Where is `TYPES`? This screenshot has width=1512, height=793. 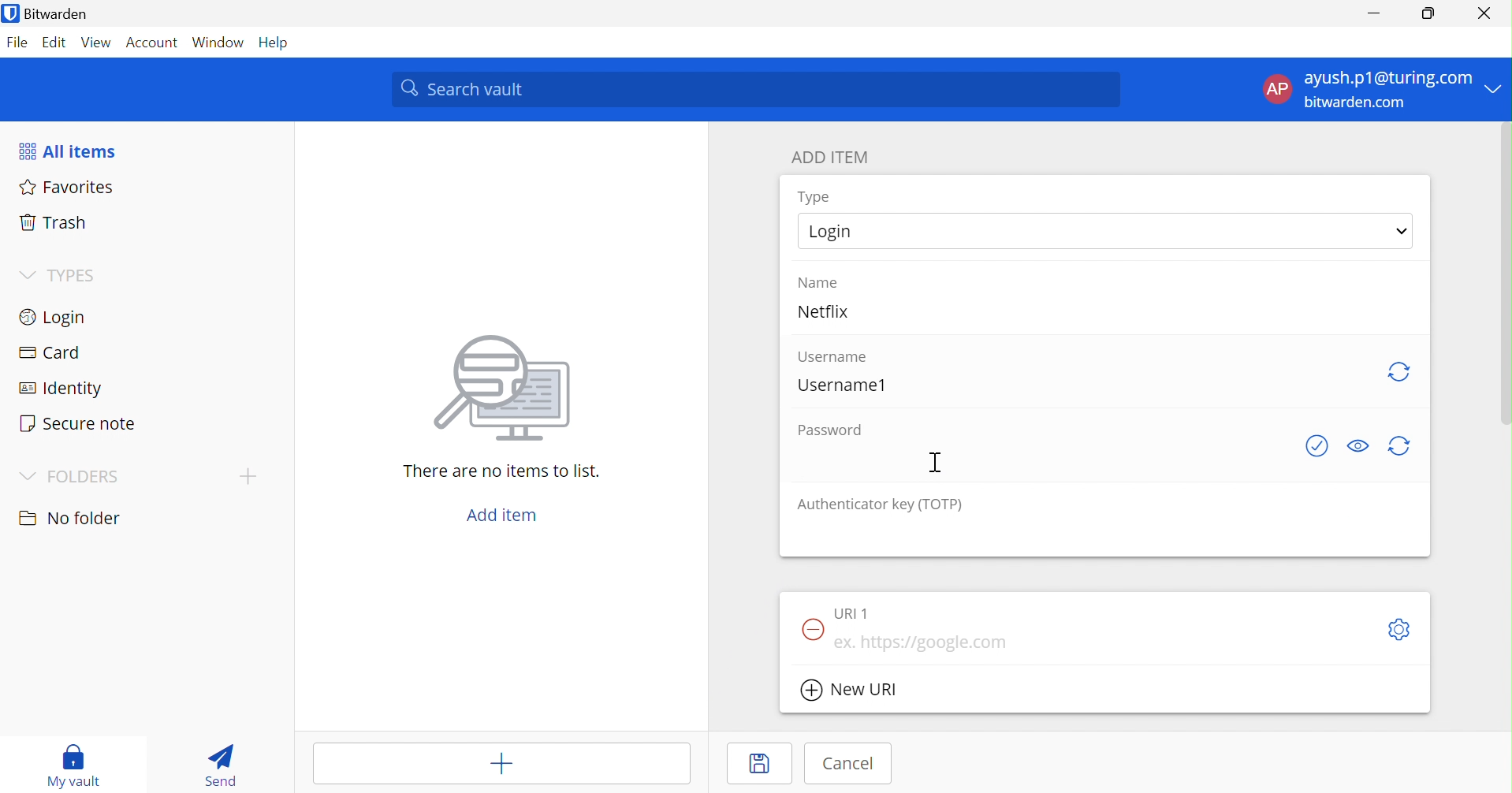
TYPES is located at coordinates (60, 275).